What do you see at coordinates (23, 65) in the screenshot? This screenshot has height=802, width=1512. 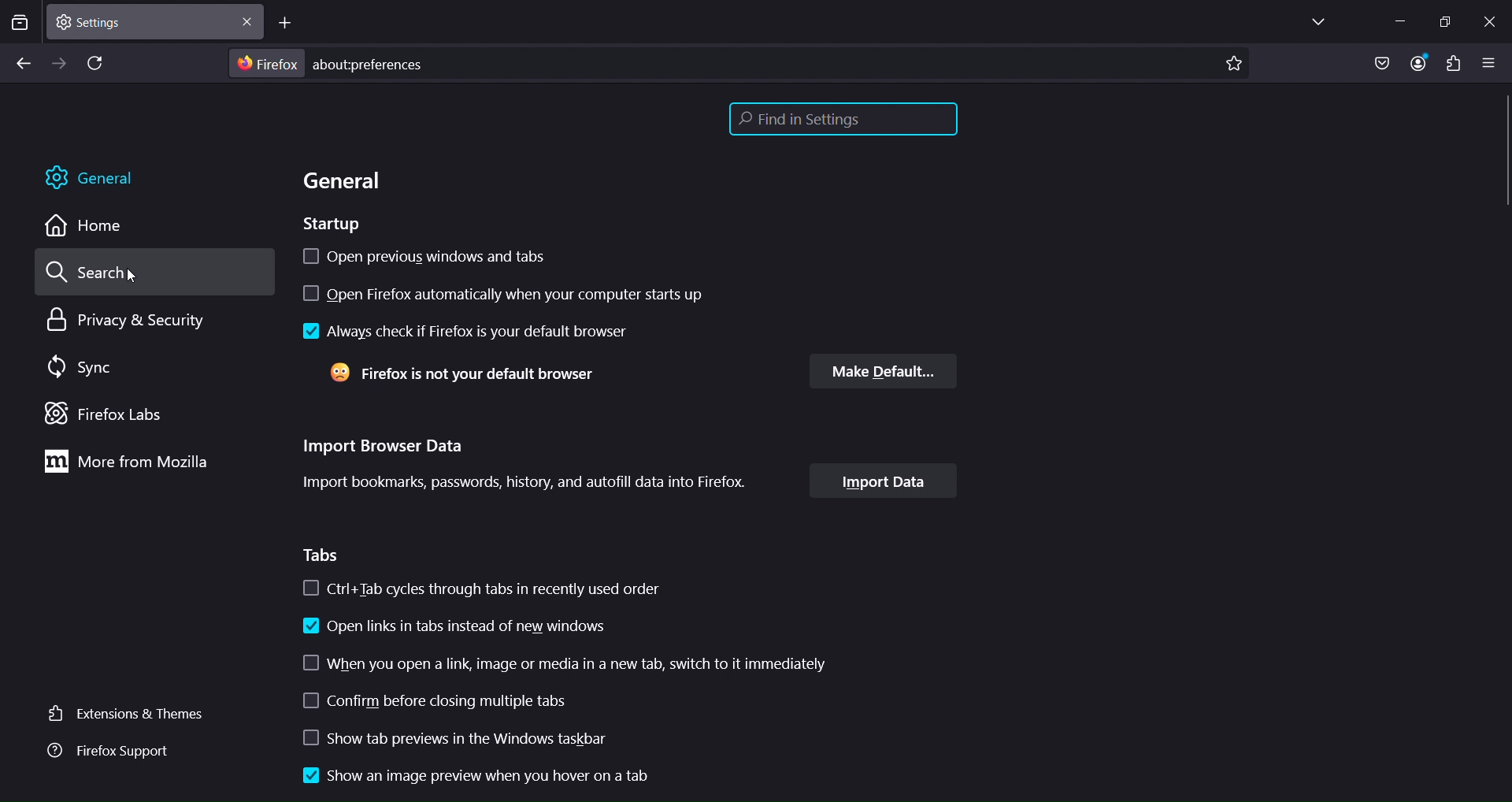 I see `go back one page` at bounding box center [23, 65].